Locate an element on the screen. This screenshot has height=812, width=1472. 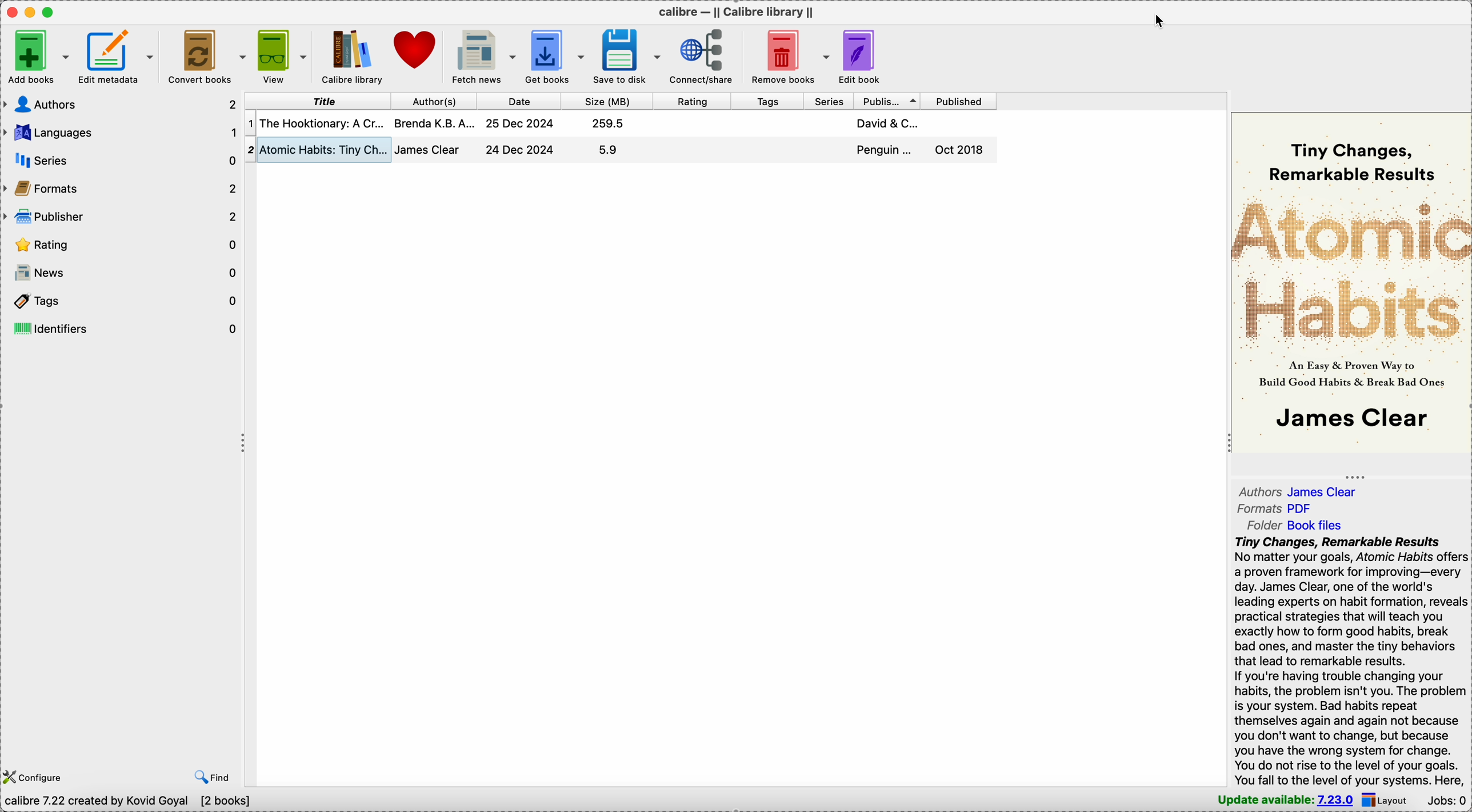
update available: 7.23.0 is located at coordinates (1283, 801).